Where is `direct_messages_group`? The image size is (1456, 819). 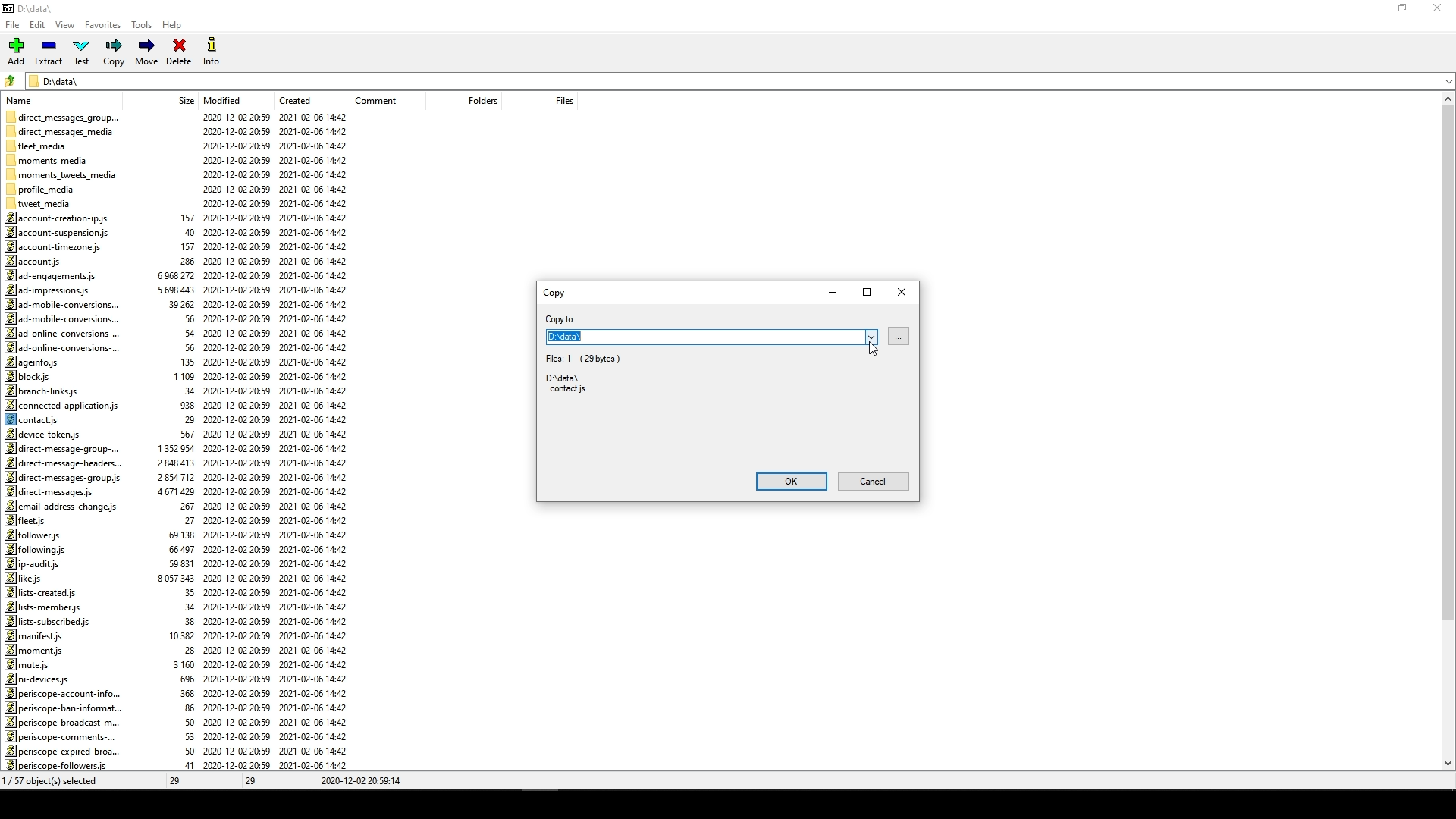 direct_messages_group is located at coordinates (64, 115).